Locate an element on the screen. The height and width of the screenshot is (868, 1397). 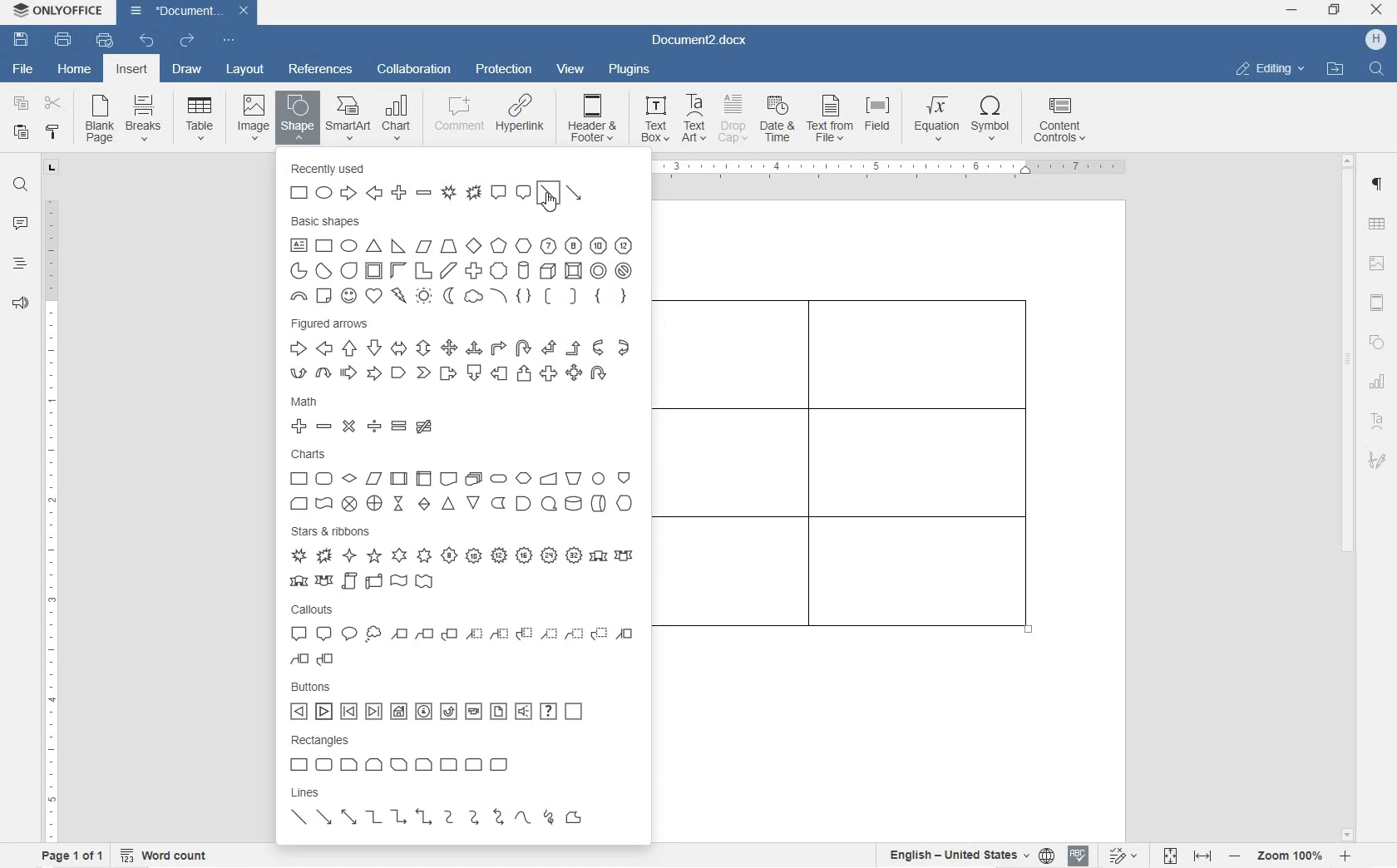
copy style is located at coordinates (53, 132).